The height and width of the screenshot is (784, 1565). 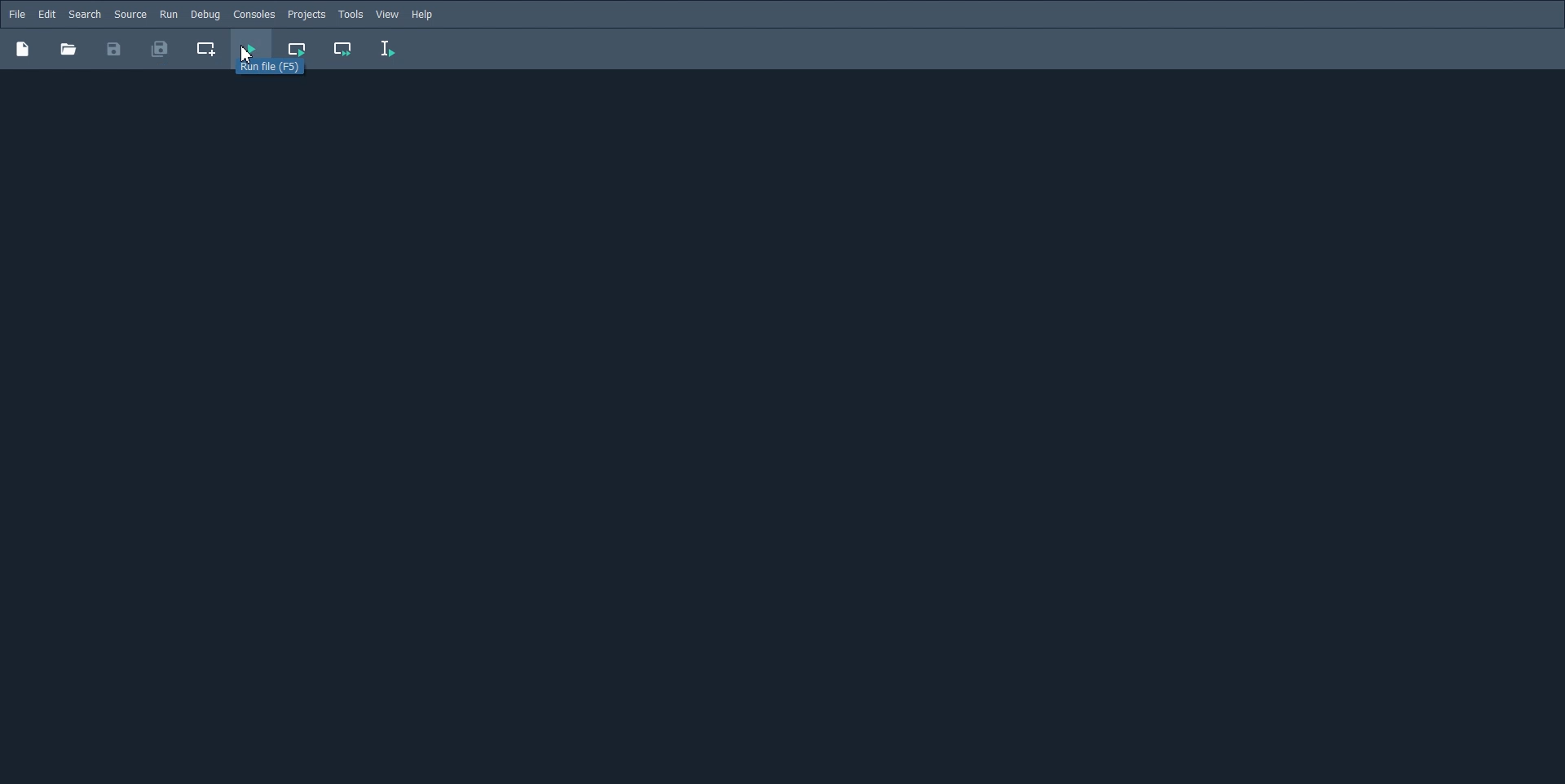 What do you see at coordinates (253, 15) in the screenshot?
I see `Console` at bounding box center [253, 15].